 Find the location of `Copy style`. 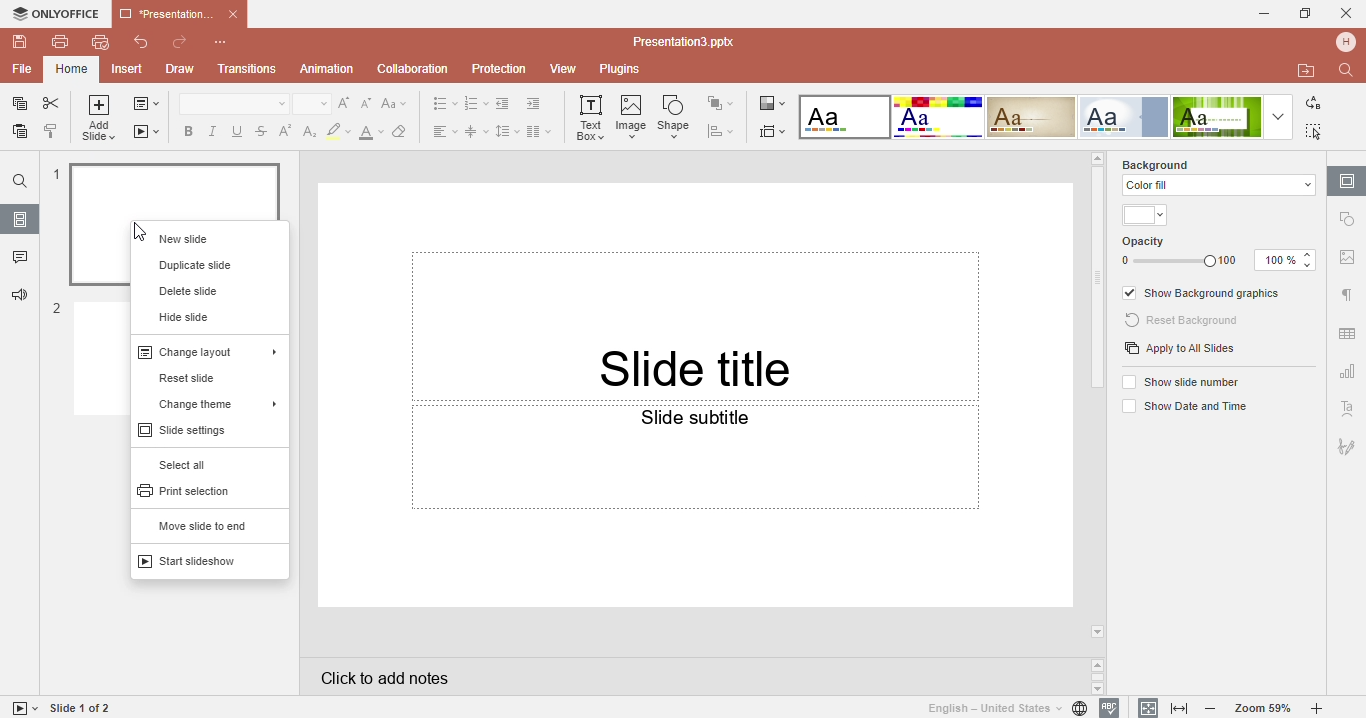

Copy style is located at coordinates (52, 133).